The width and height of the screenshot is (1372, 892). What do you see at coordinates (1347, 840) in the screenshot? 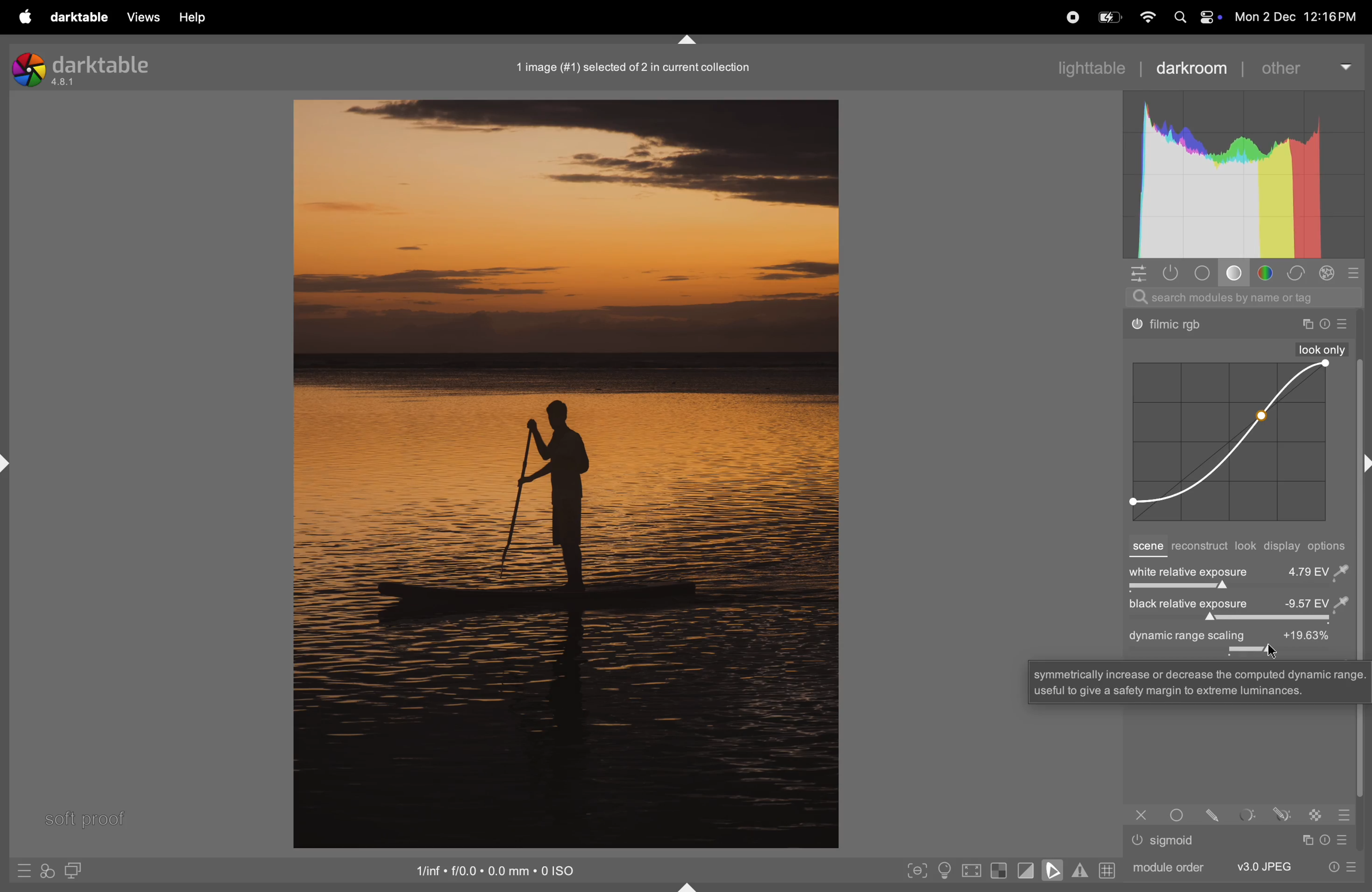
I see `` at bounding box center [1347, 840].